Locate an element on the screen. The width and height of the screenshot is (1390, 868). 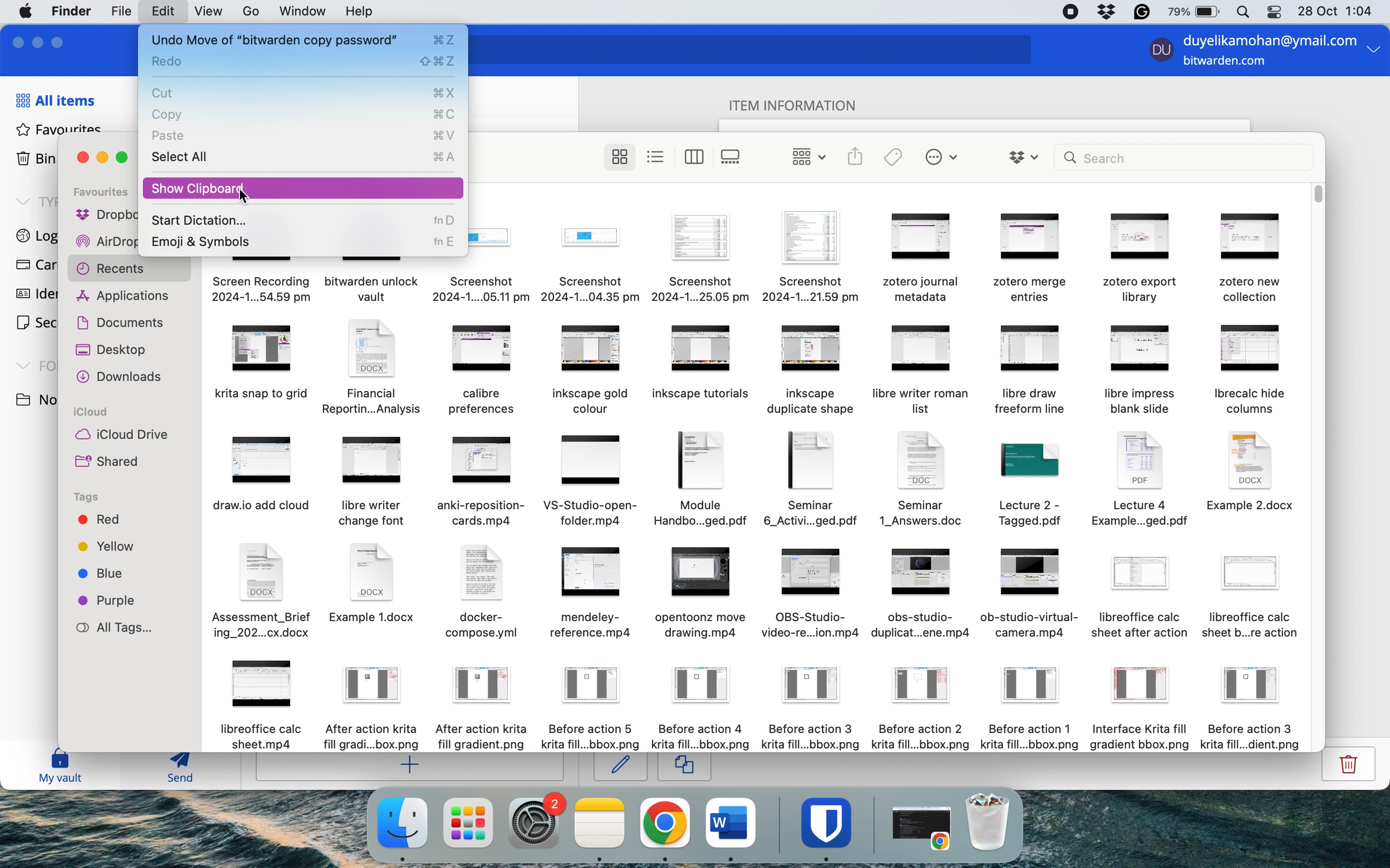
bitwarden.com is located at coordinates (1229, 63).